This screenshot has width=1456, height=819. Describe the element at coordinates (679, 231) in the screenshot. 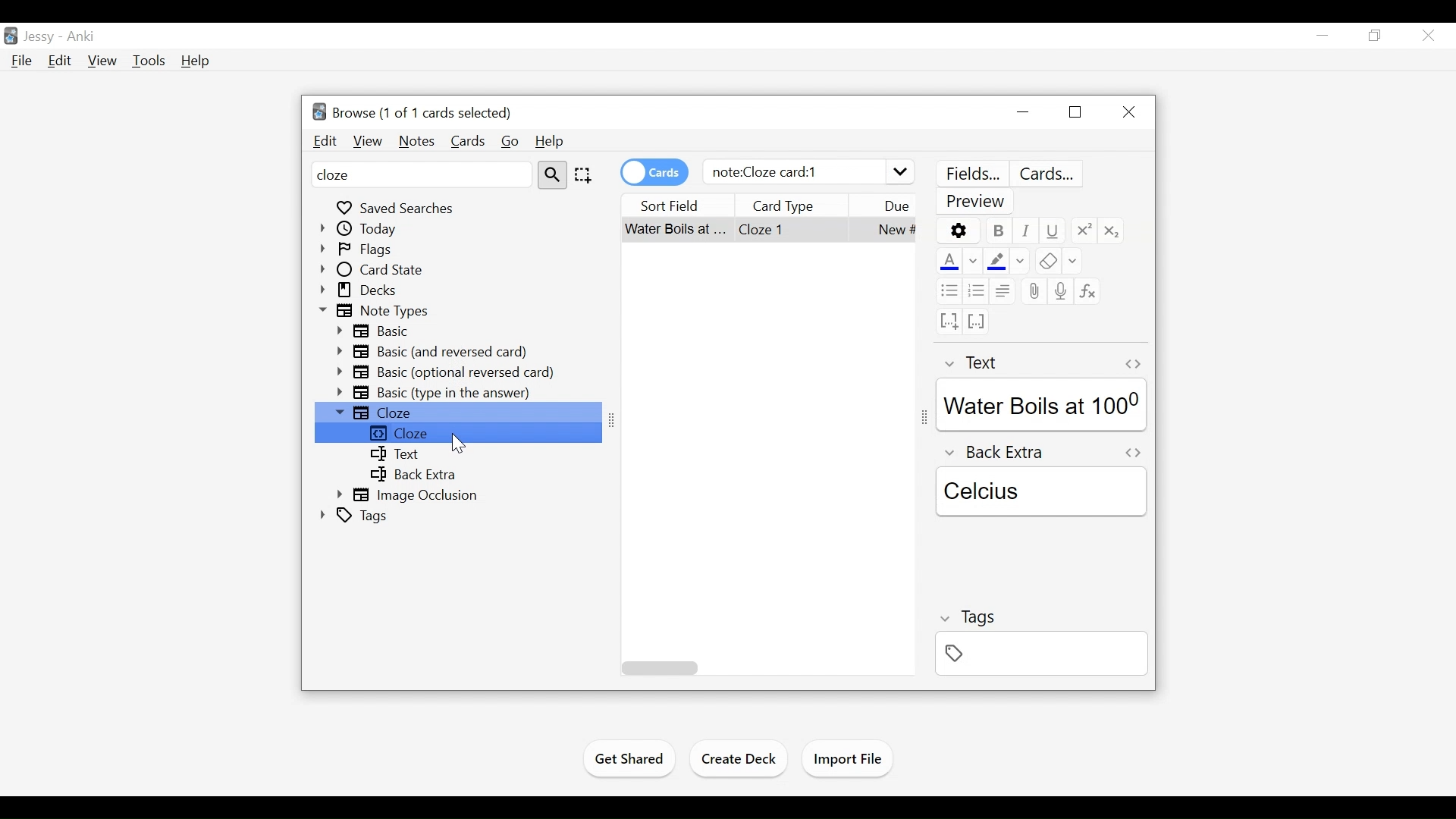

I see `Card` at that location.